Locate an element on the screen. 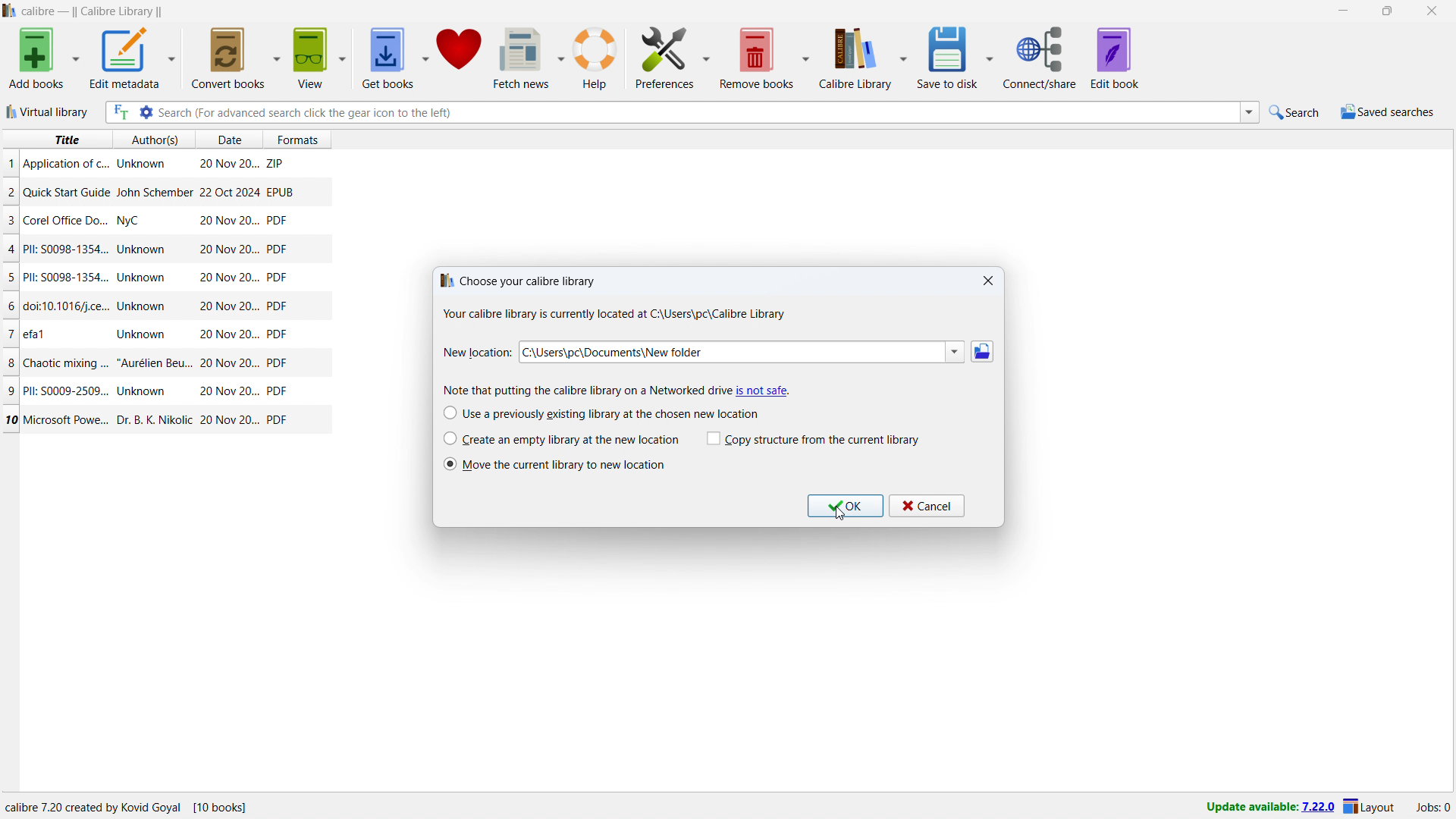 The height and width of the screenshot is (819, 1456). enter search string is located at coordinates (698, 112).